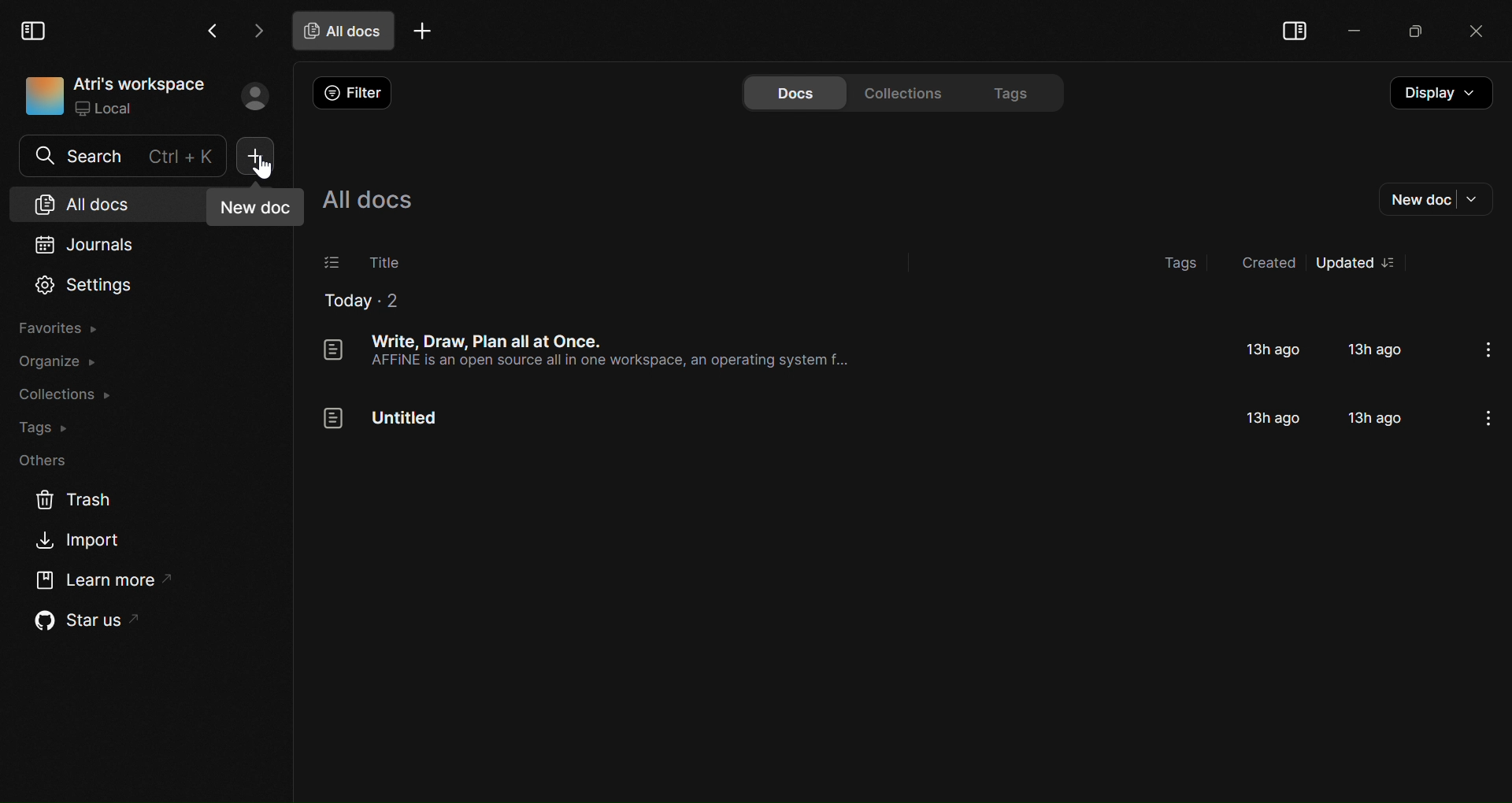  Describe the element at coordinates (361, 302) in the screenshot. I see `Today 2` at that location.